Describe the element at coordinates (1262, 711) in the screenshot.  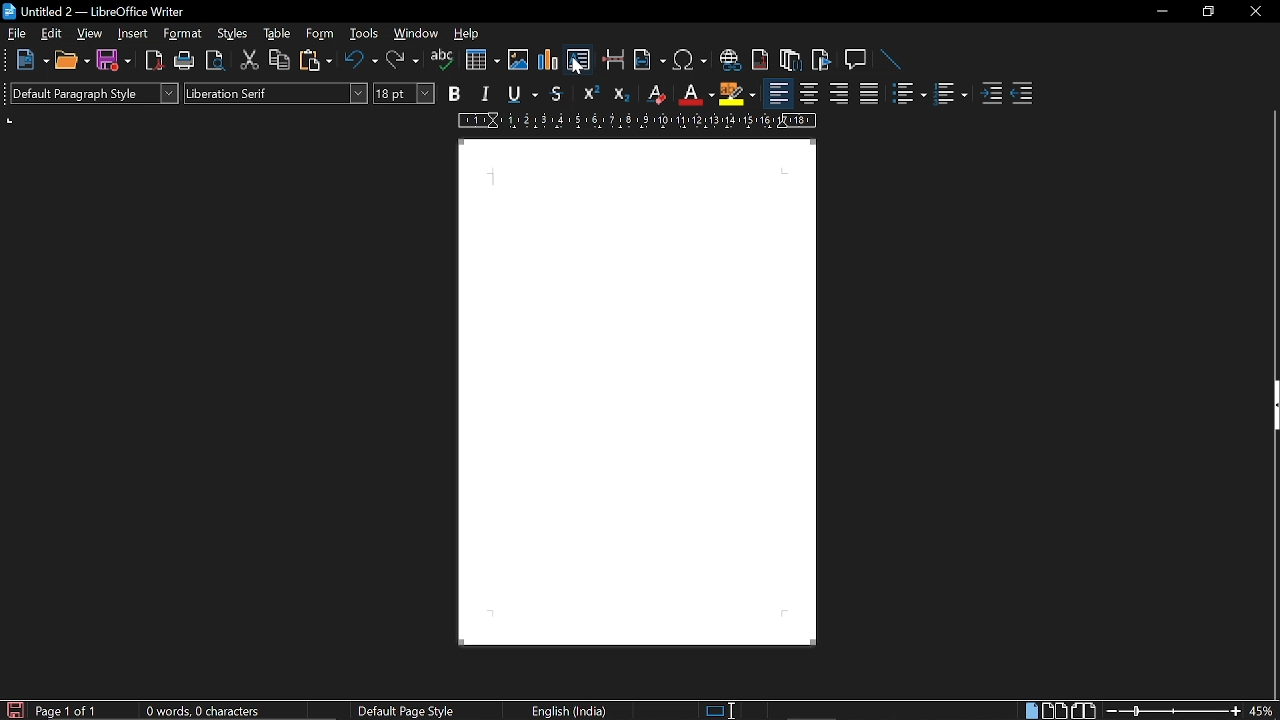
I see `current zoom` at that location.